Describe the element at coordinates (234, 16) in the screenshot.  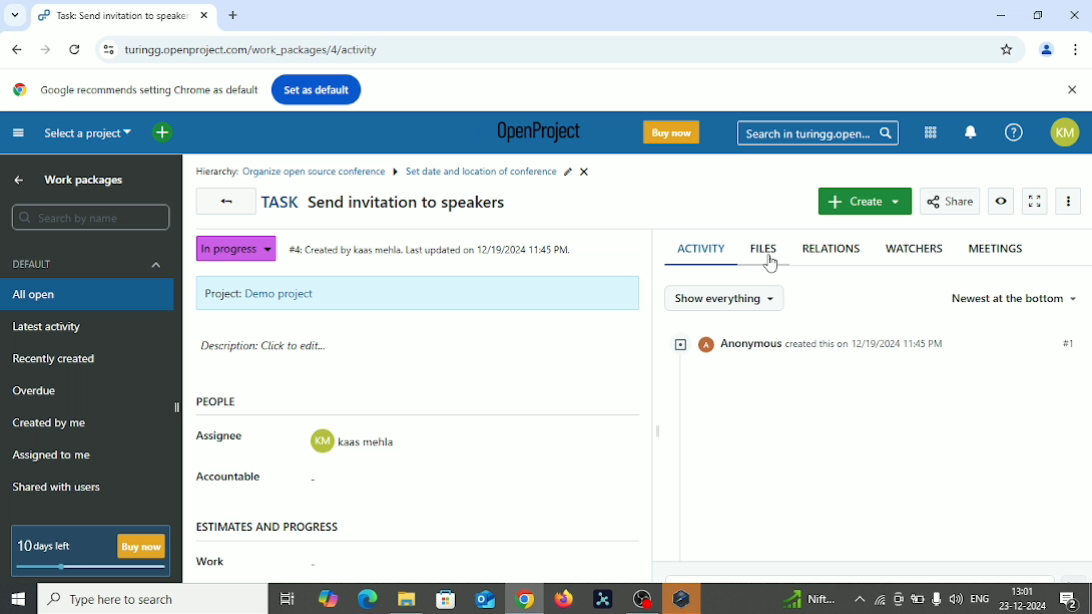
I see `New tab` at that location.